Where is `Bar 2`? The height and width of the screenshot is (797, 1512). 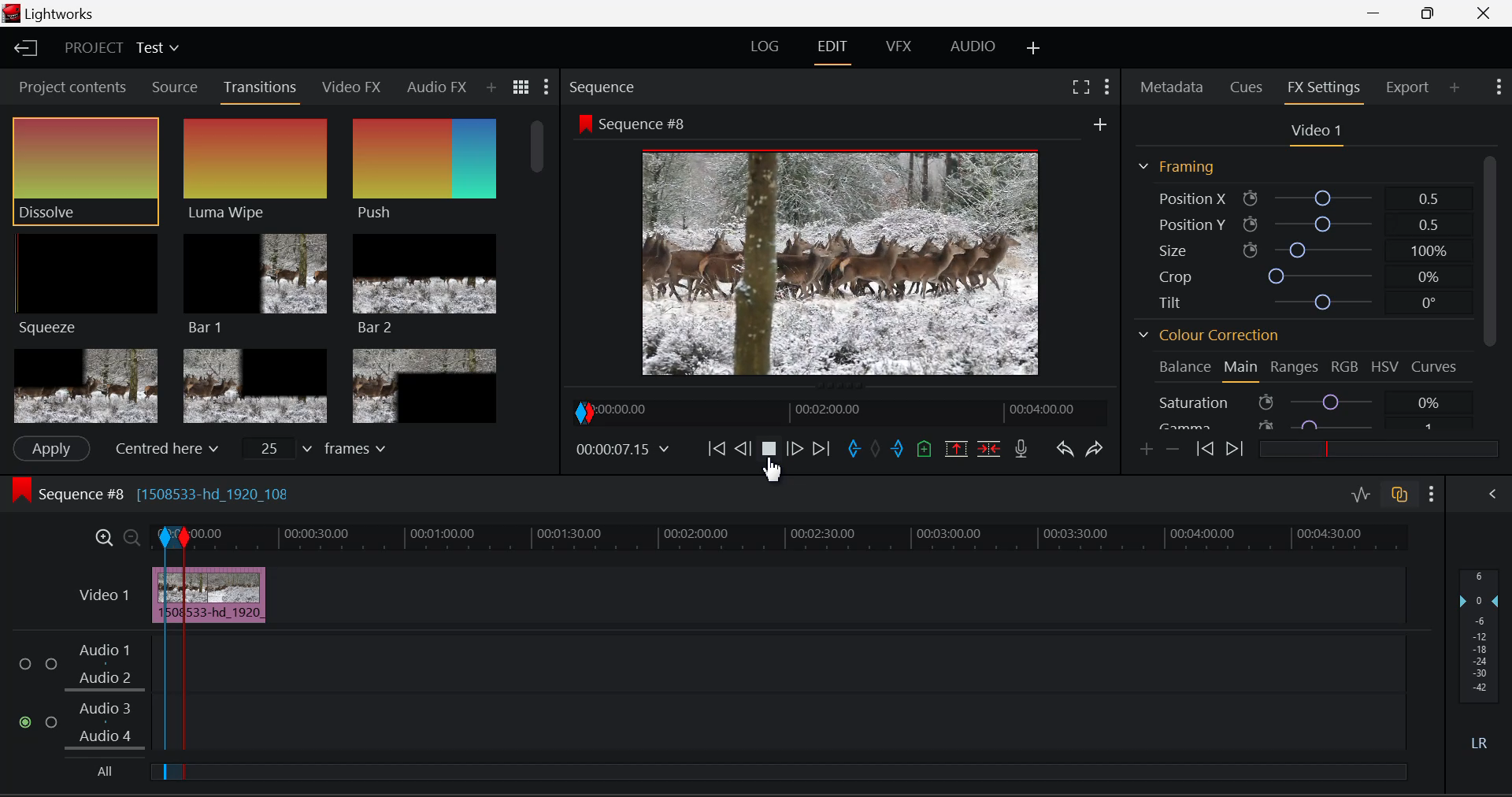 Bar 2 is located at coordinates (424, 284).